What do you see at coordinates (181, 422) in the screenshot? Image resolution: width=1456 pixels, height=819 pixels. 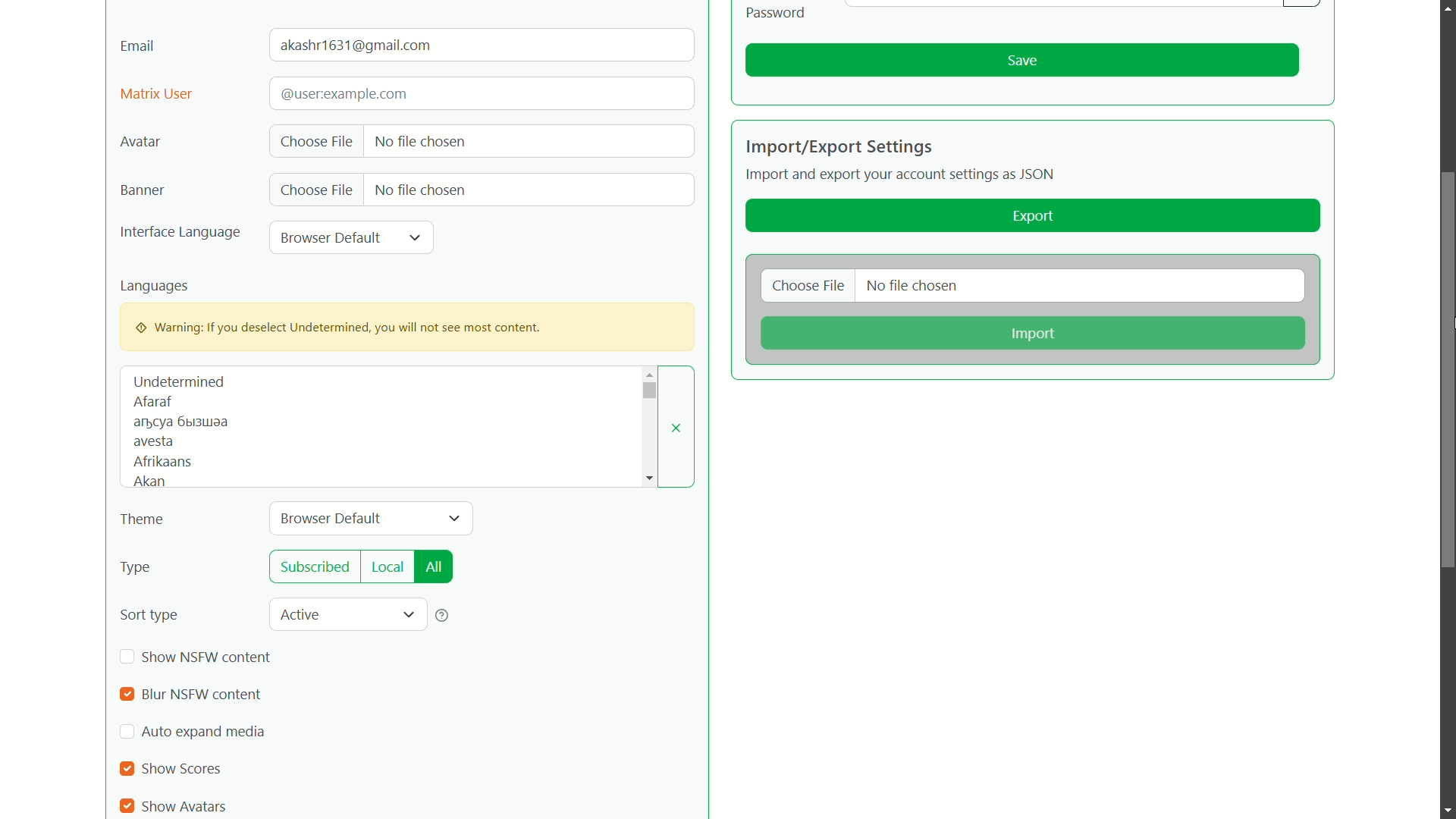 I see `text` at bounding box center [181, 422].